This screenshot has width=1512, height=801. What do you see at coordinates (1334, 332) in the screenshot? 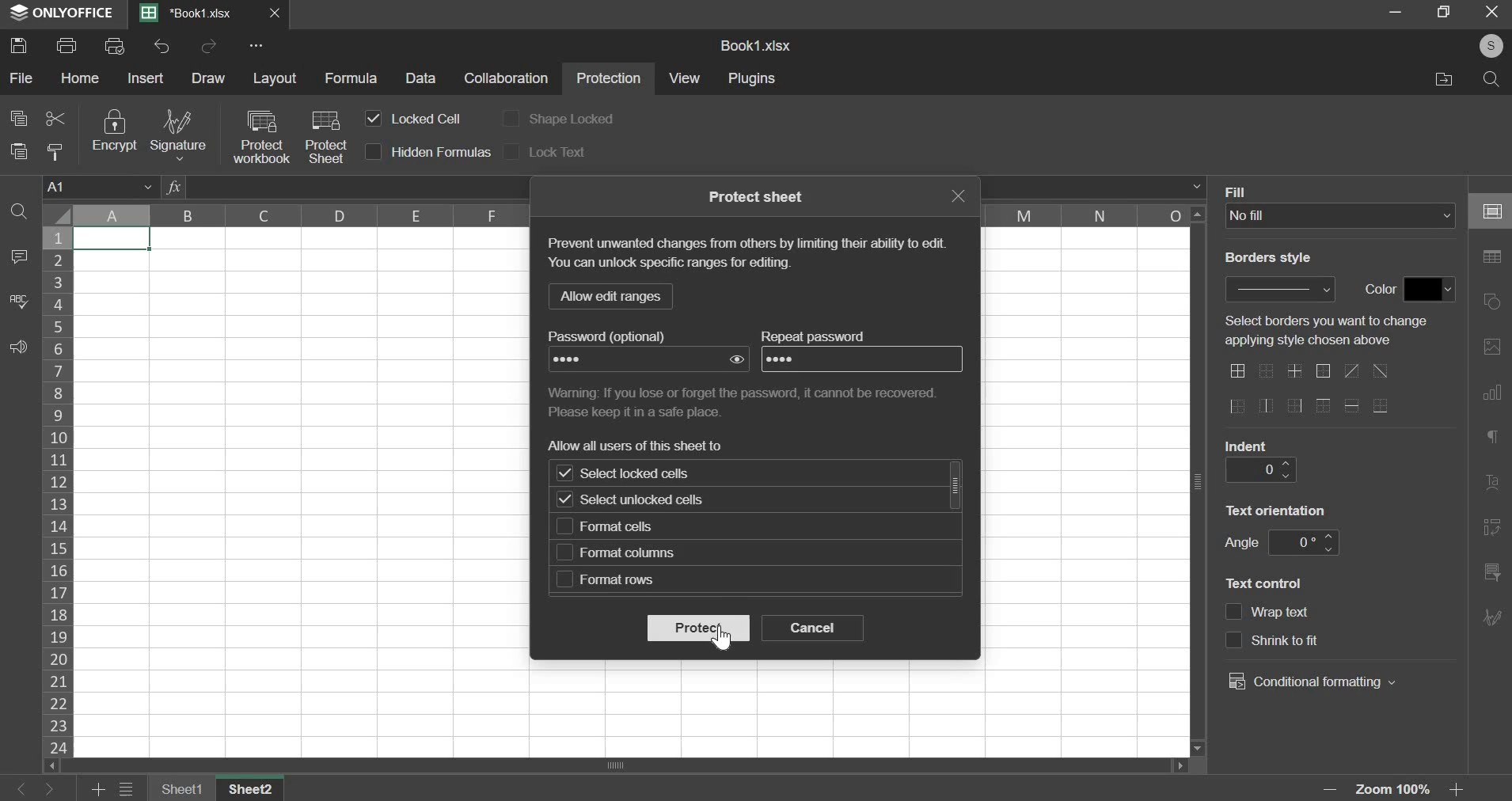
I see `text` at bounding box center [1334, 332].